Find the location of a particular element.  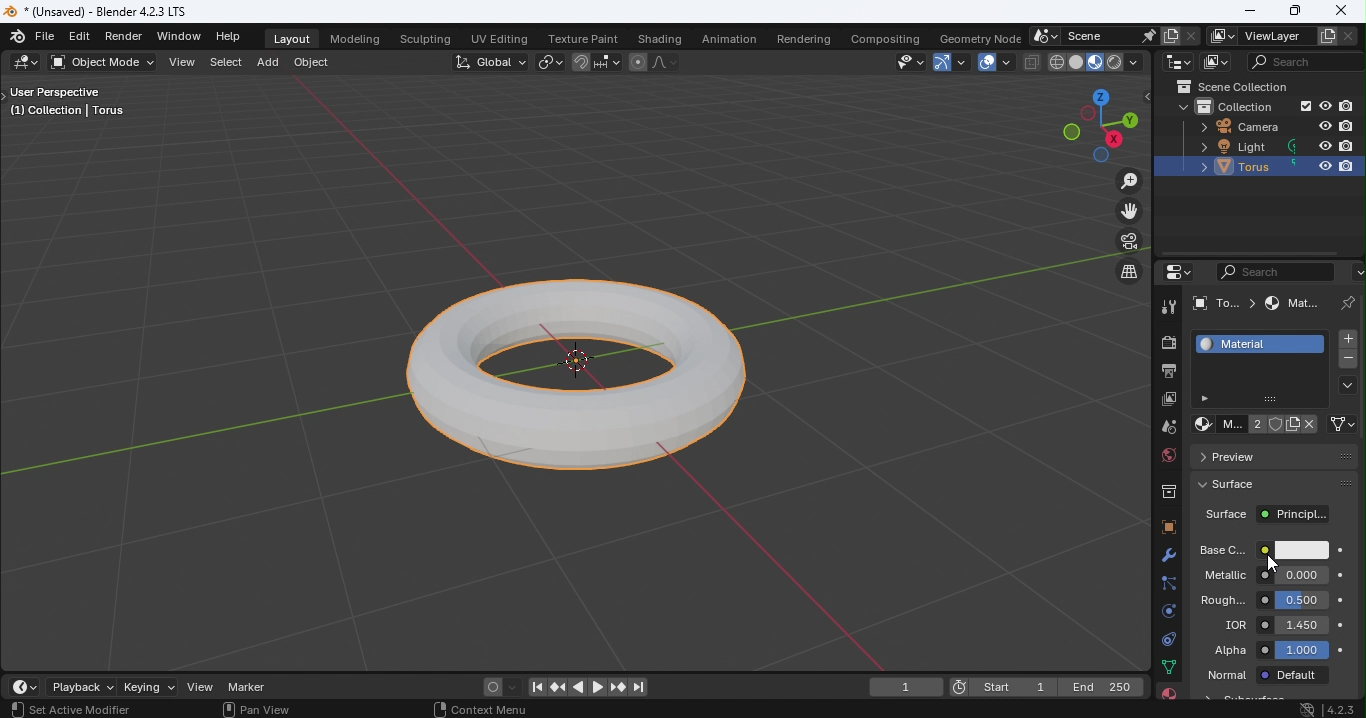

Collection is located at coordinates (1234, 105).